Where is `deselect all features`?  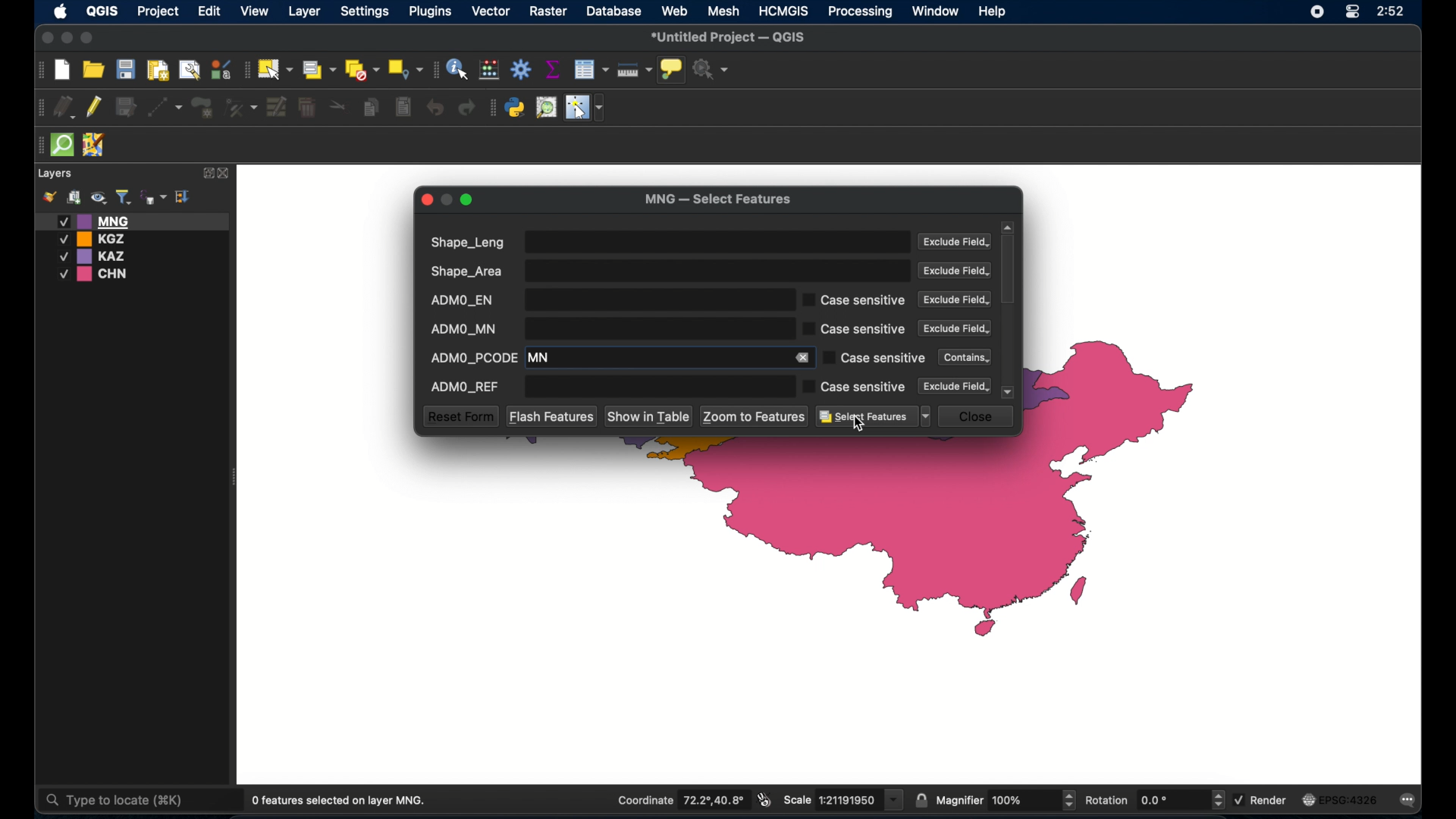 deselect all features is located at coordinates (362, 70).